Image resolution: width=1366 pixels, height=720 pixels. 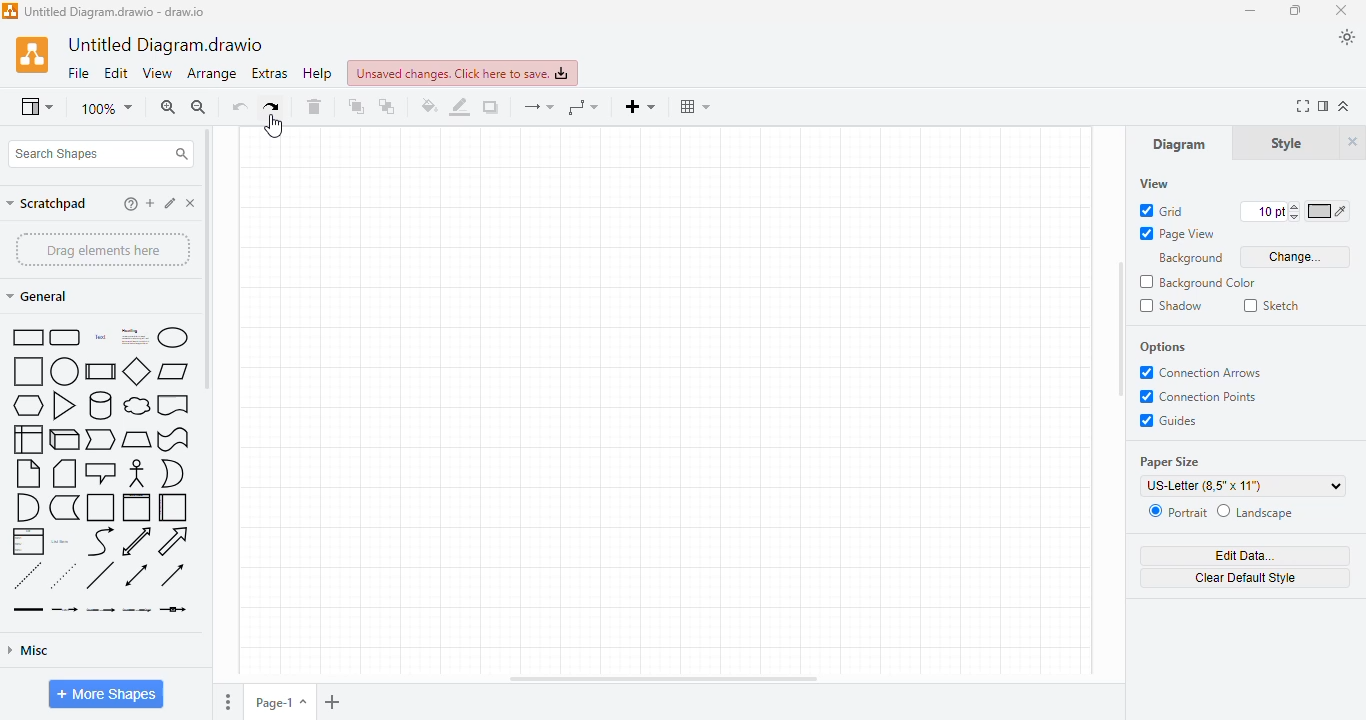 What do you see at coordinates (171, 202) in the screenshot?
I see `item` at bounding box center [171, 202].